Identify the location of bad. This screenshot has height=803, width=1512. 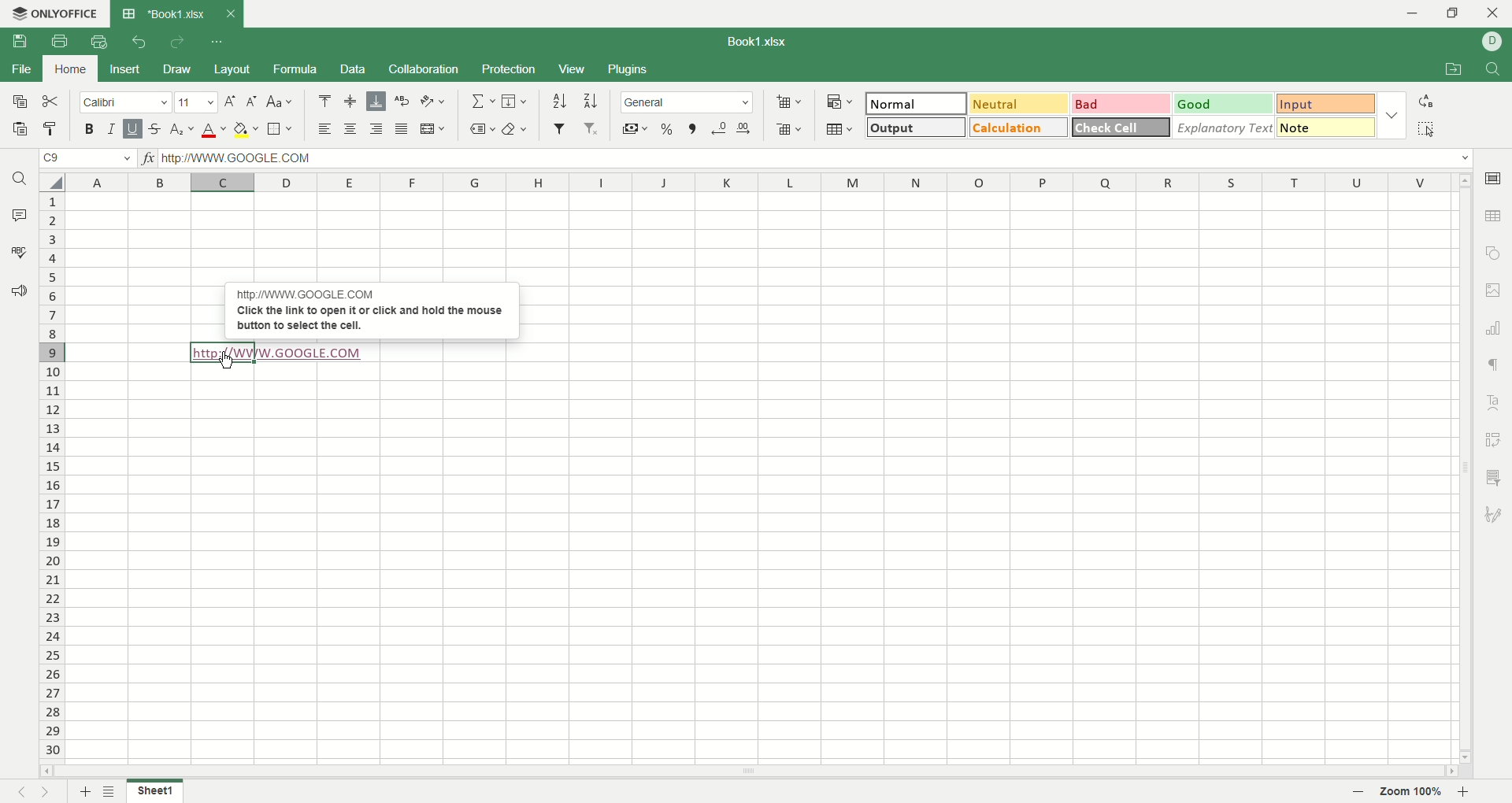
(1121, 102).